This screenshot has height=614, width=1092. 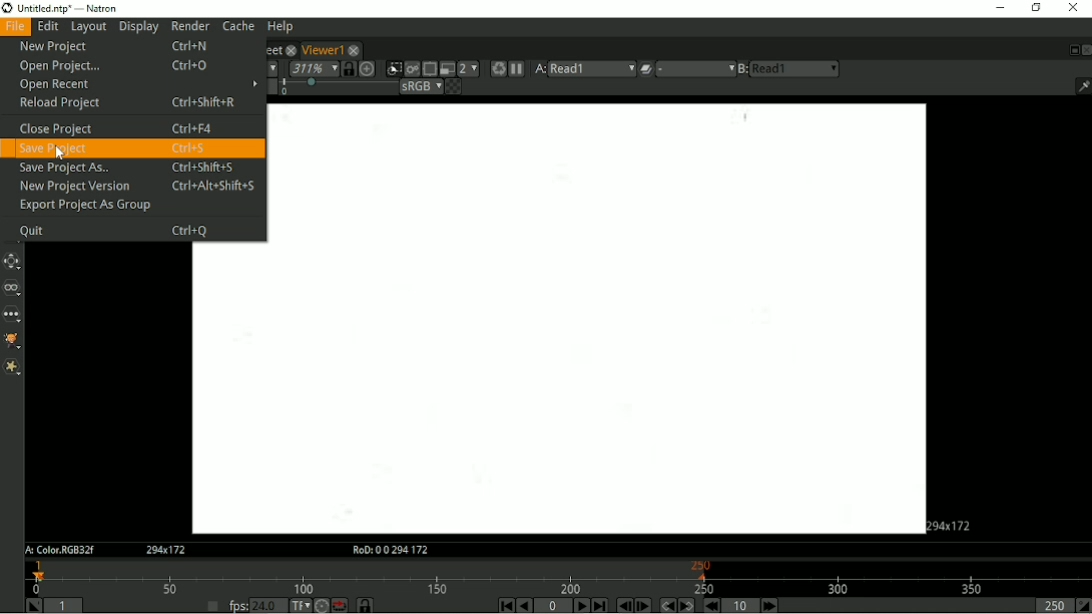 What do you see at coordinates (1083, 605) in the screenshot?
I see `Set playback out point` at bounding box center [1083, 605].